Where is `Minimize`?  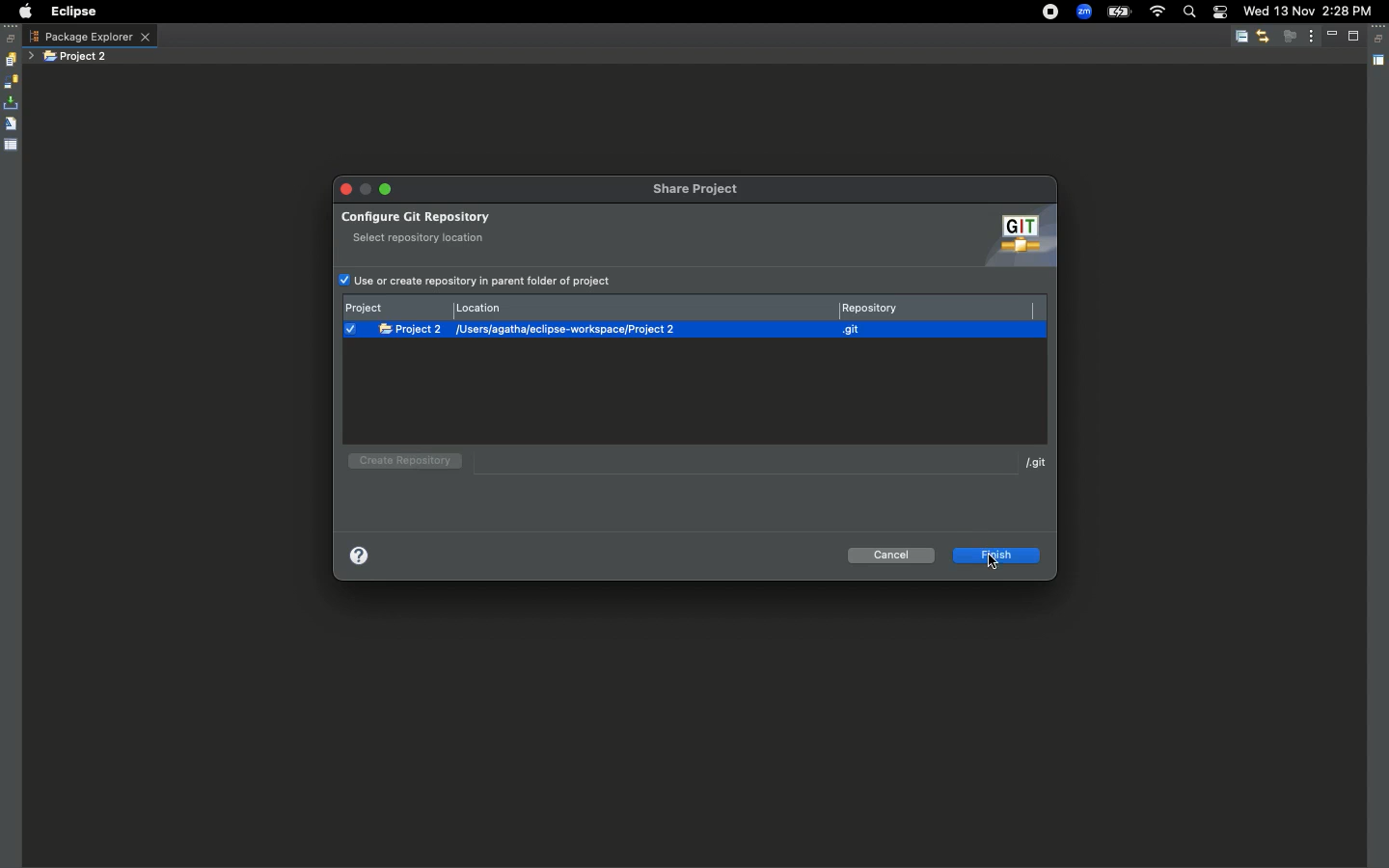 Minimize is located at coordinates (384, 189).